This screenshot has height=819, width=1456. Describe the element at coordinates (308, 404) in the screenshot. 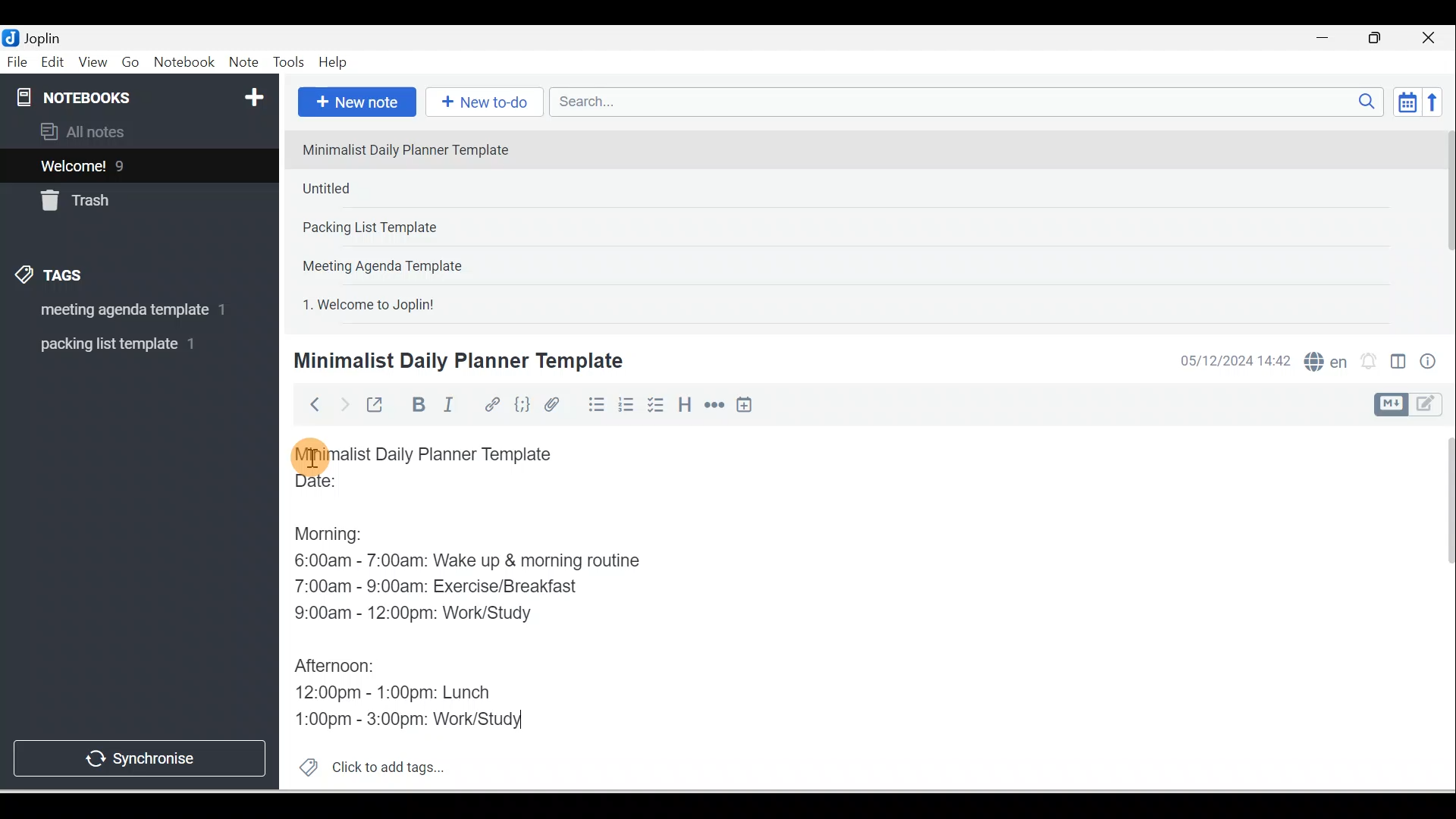

I see `Back` at that location.